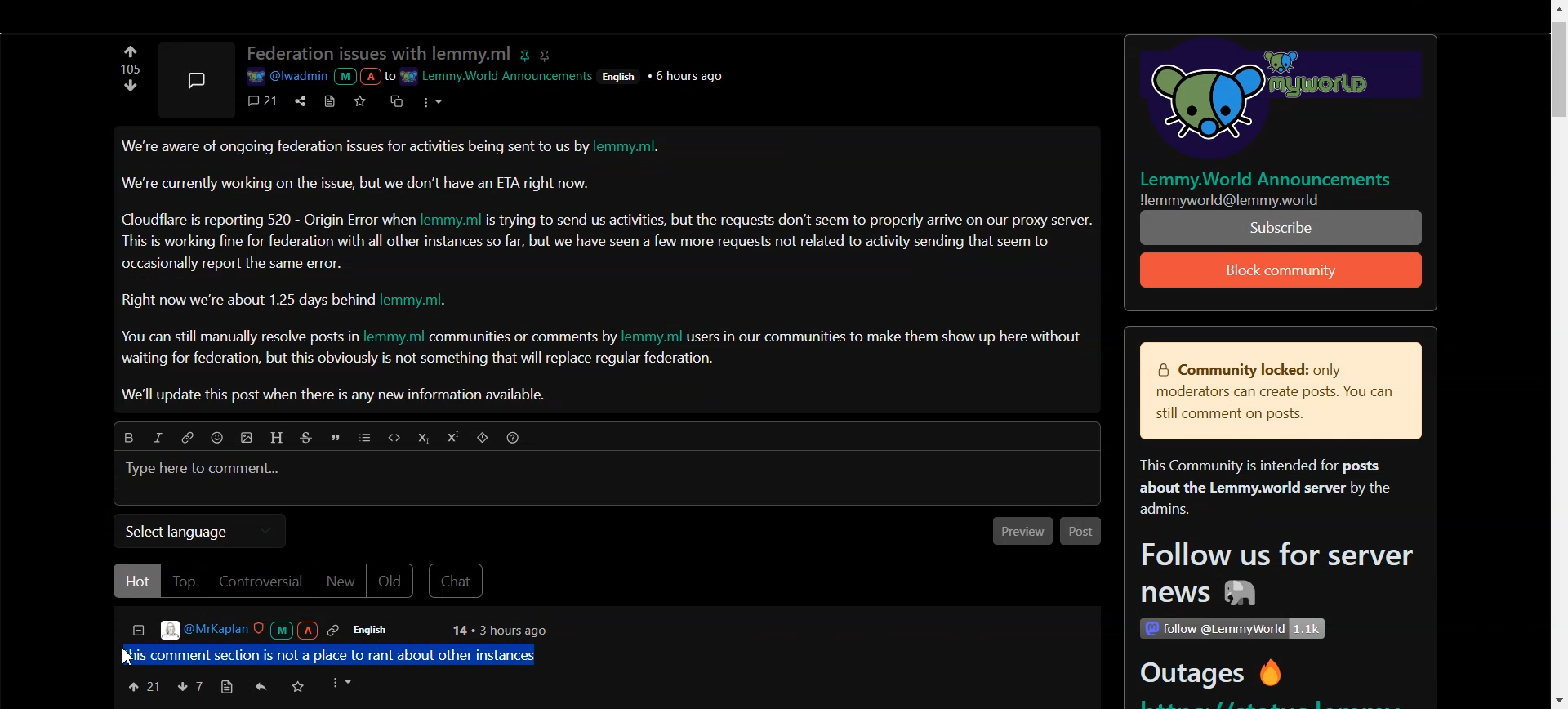 The width and height of the screenshot is (1568, 709). I want to click on Right now we're about 1.25 days behind, so click(249, 301).